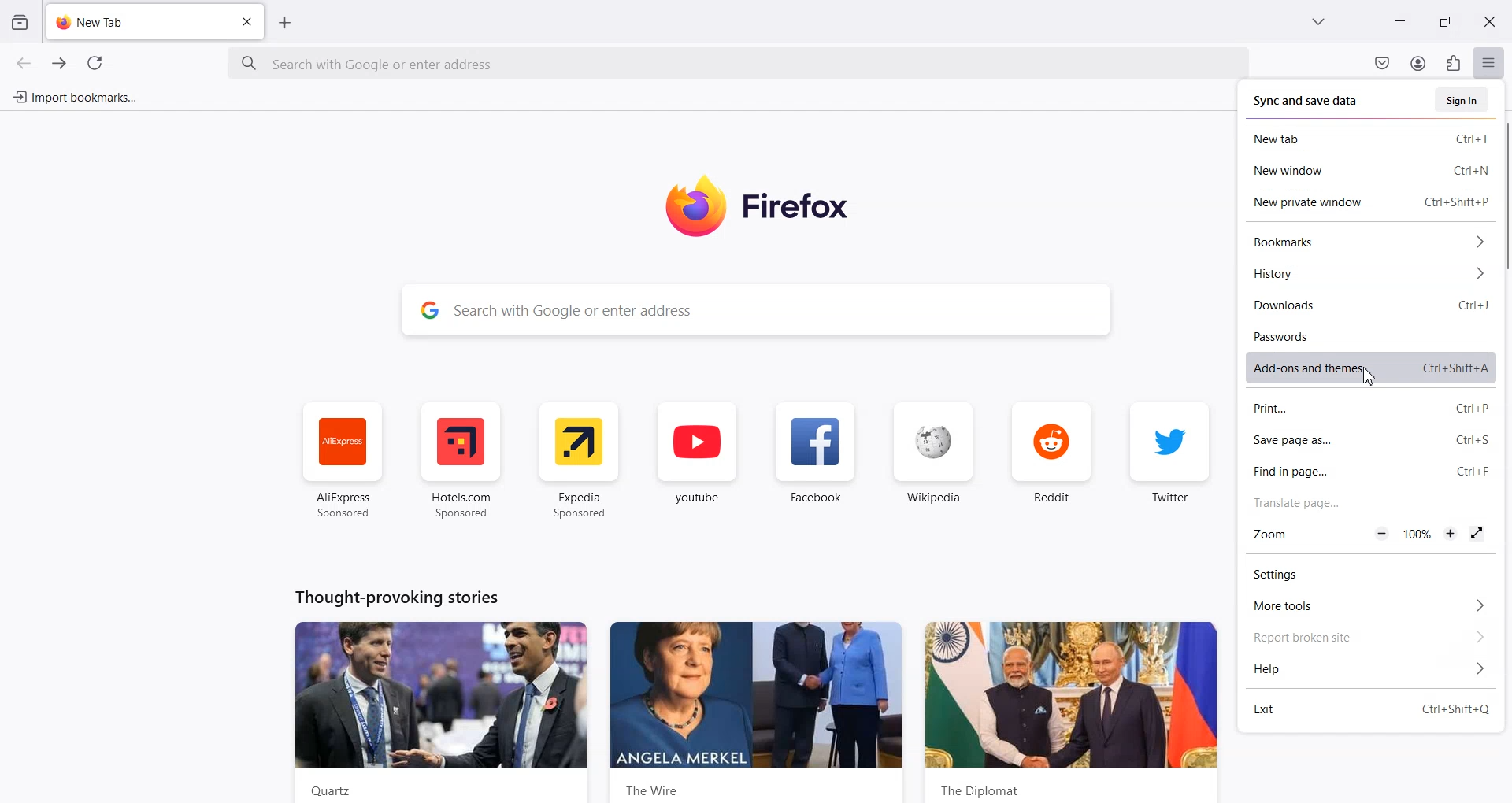 The height and width of the screenshot is (803, 1512). Describe the element at coordinates (1419, 533) in the screenshot. I see `100%` at that location.